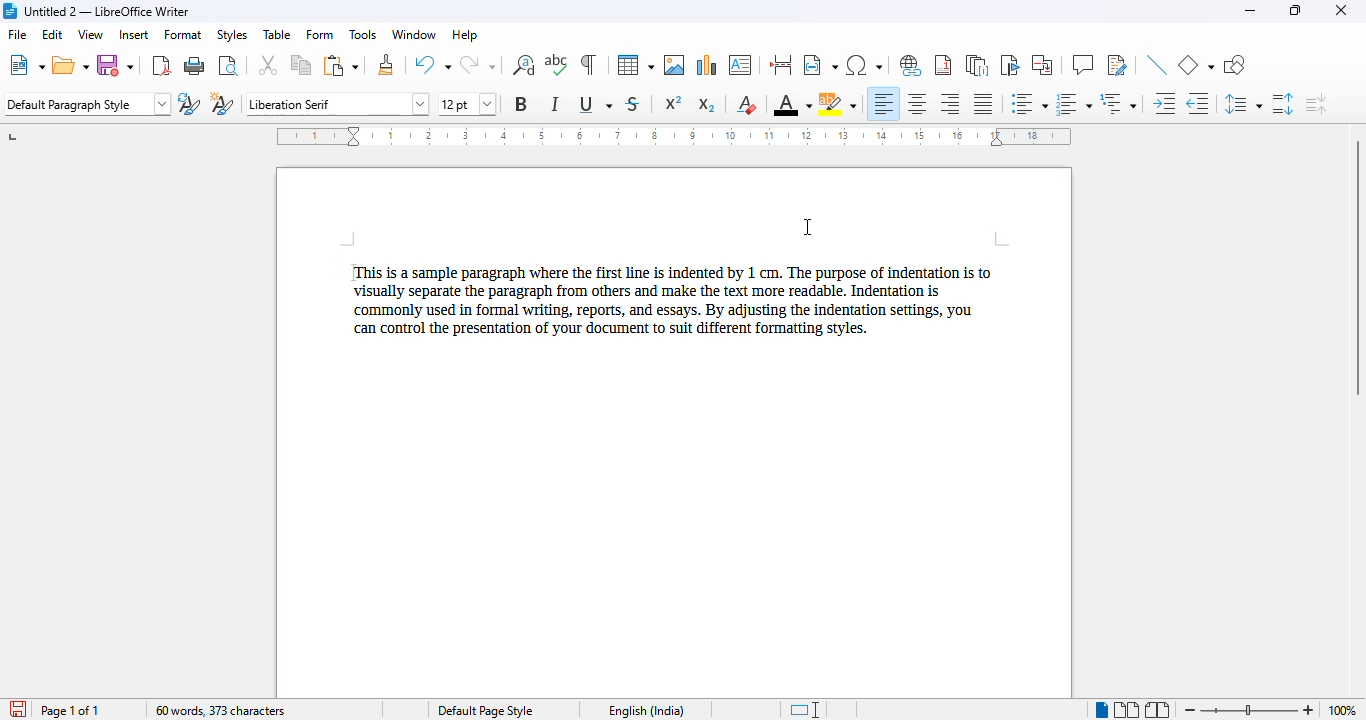 This screenshot has height=720, width=1366. What do you see at coordinates (1126, 709) in the screenshot?
I see `multi-page view` at bounding box center [1126, 709].